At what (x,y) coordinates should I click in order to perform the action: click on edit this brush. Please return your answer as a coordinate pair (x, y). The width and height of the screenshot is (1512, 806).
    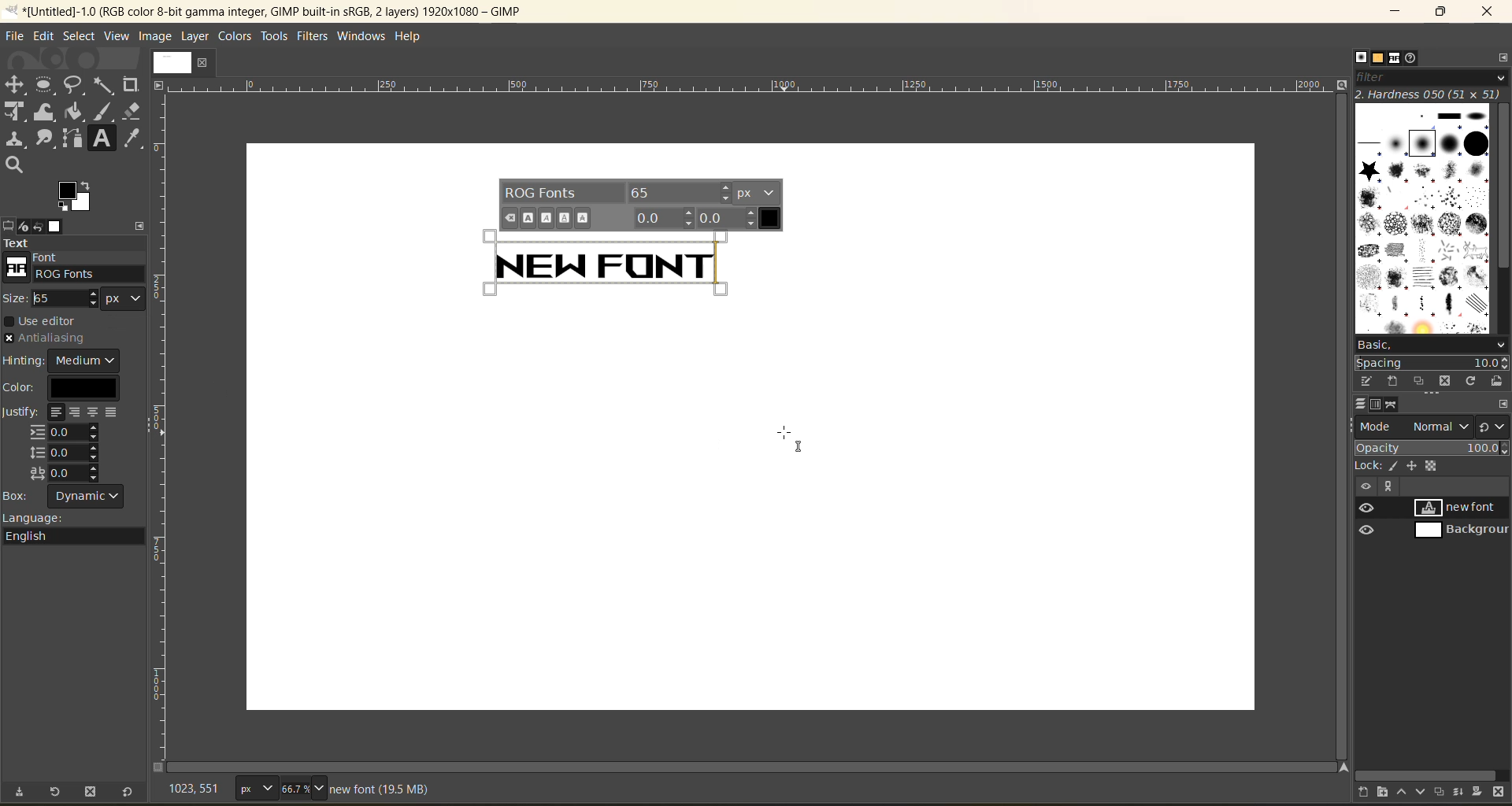
    Looking at the image, I should click on (1366, 381).